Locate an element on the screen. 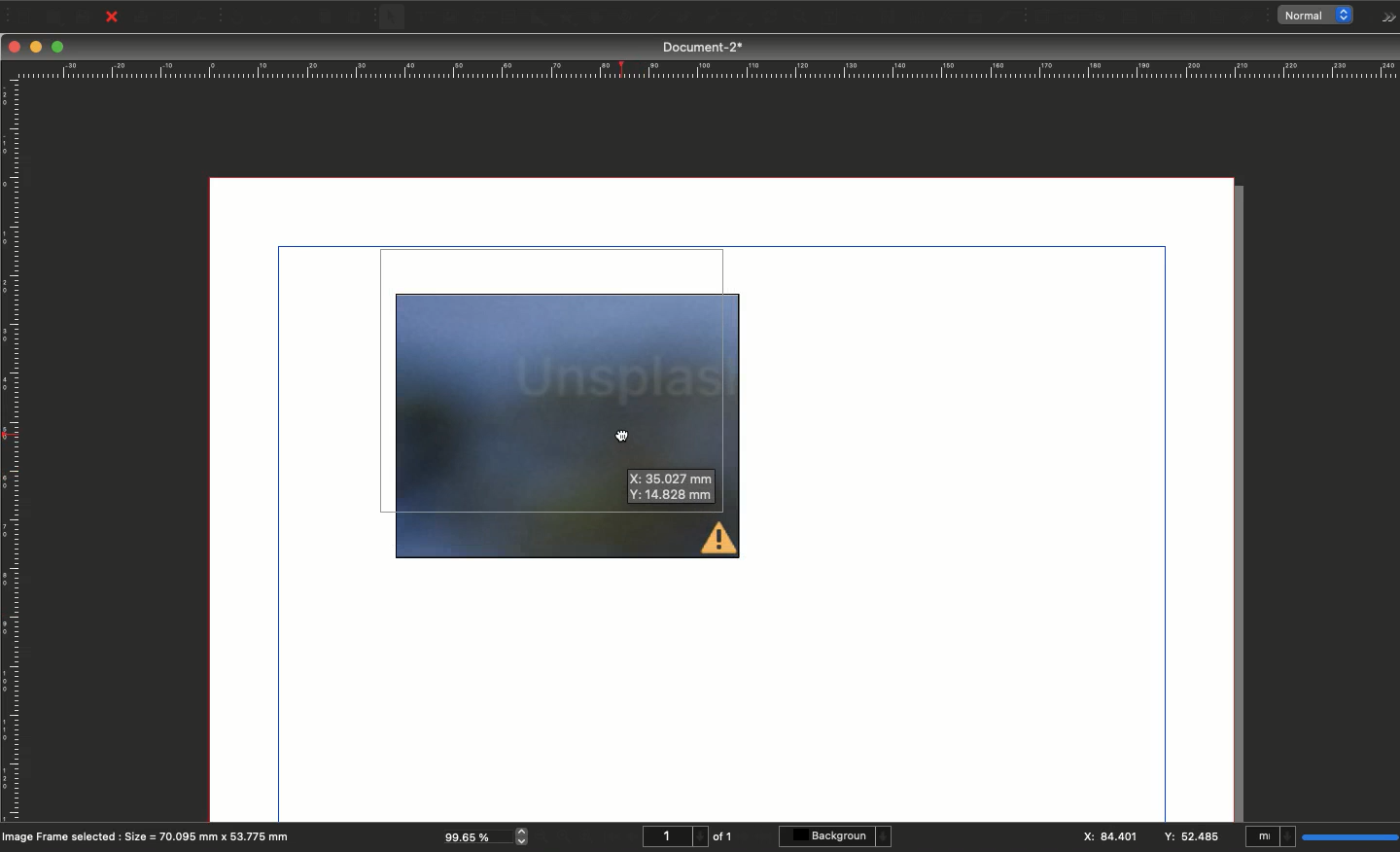 This screenshot has width=1400, height=852. Edit text with story editor is located at coordinates (841, 18).